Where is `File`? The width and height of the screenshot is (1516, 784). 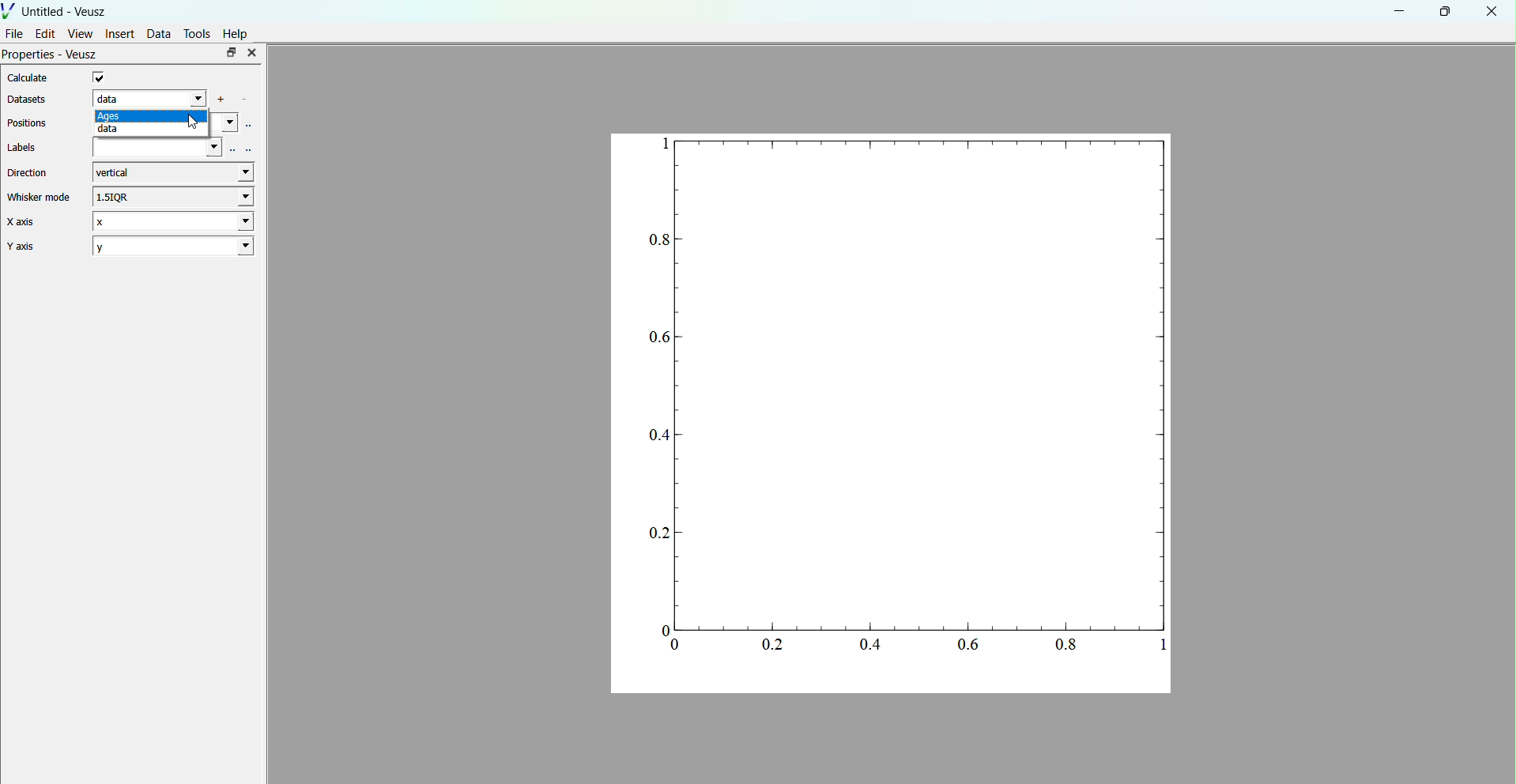 File is located at coordinates (15, 32).